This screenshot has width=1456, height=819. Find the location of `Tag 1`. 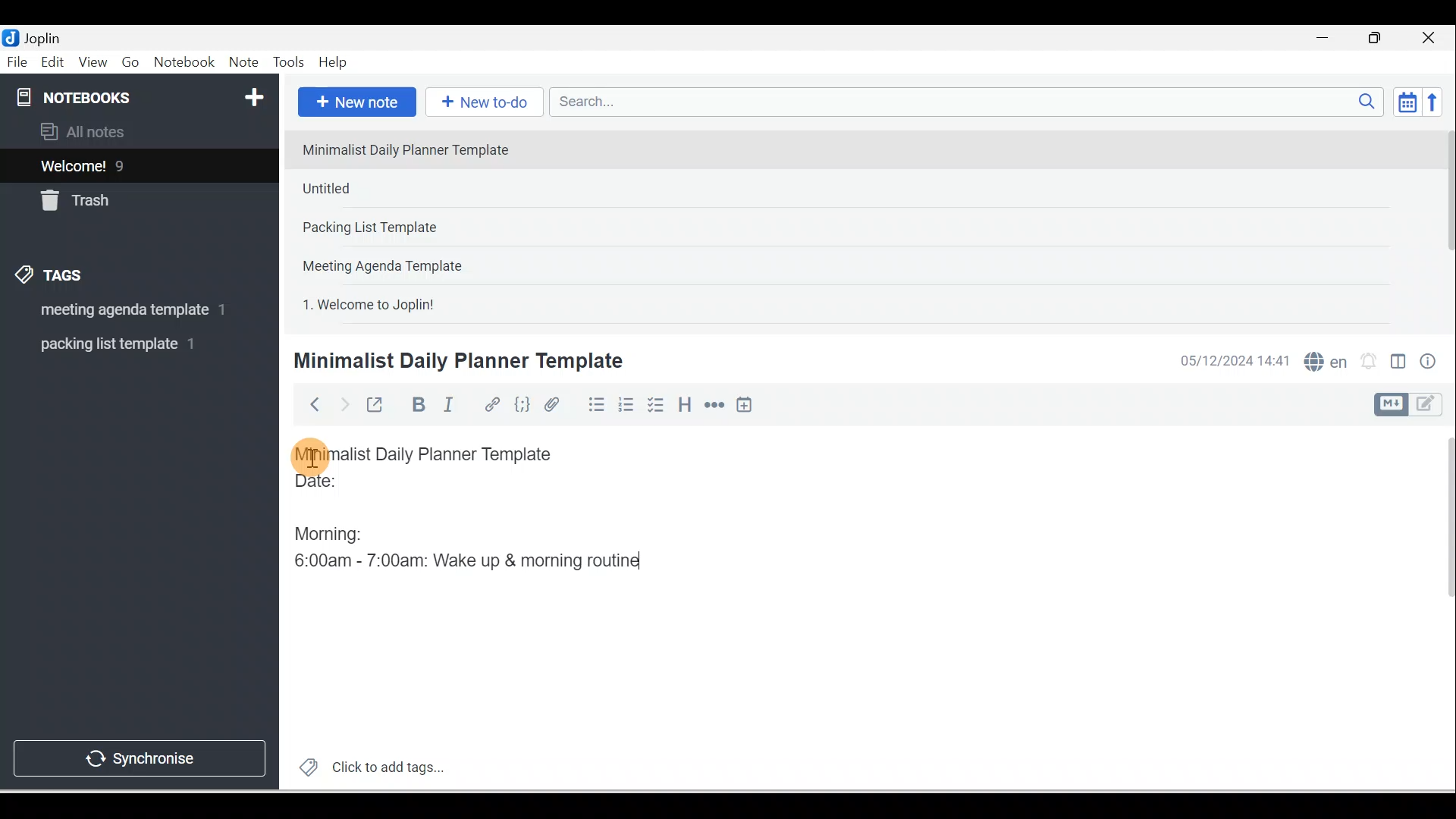

Tag 1 is located at coordinates (119, 311).